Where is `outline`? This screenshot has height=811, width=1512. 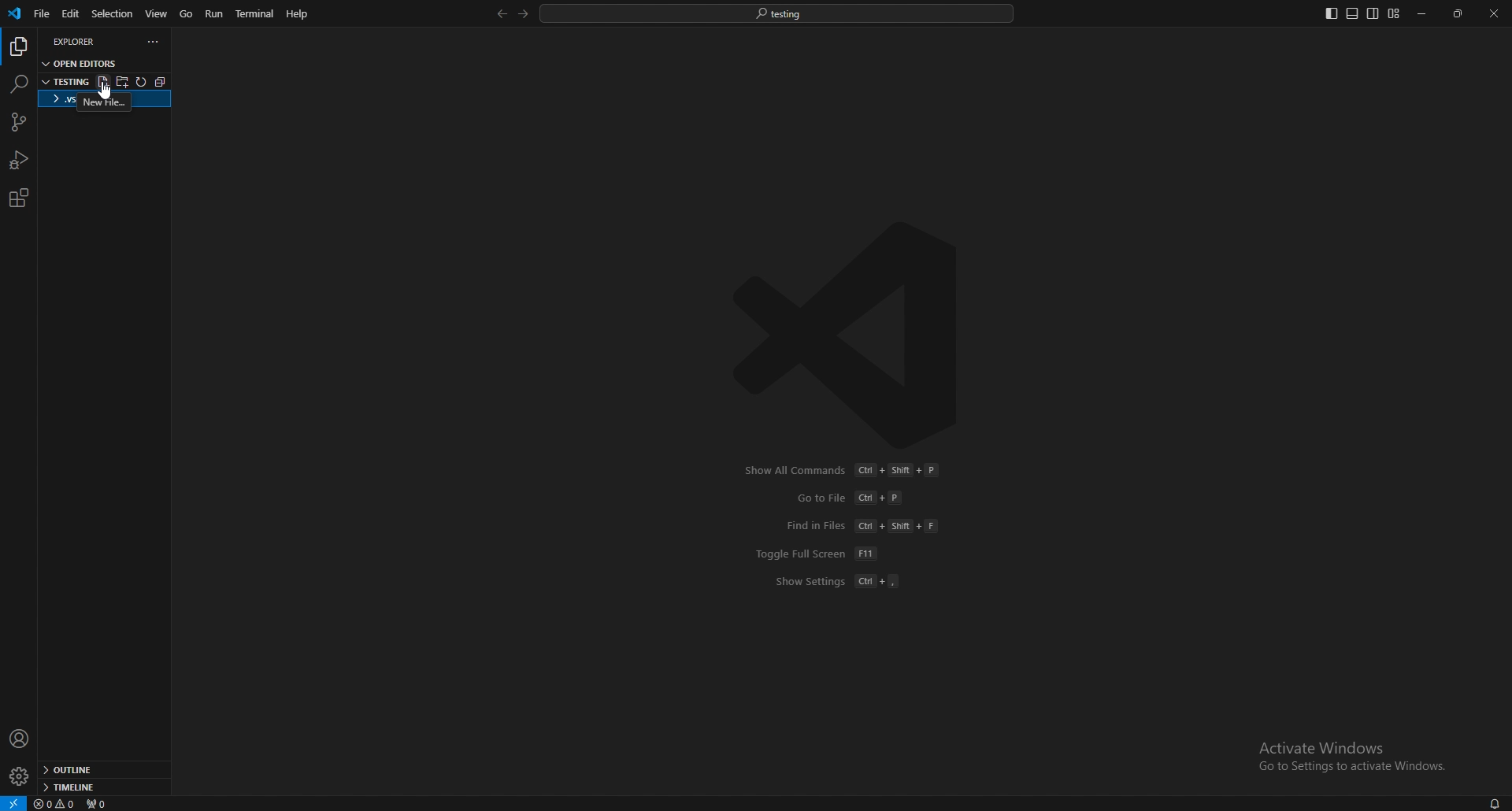
outline is located at coordinates (102, 771).